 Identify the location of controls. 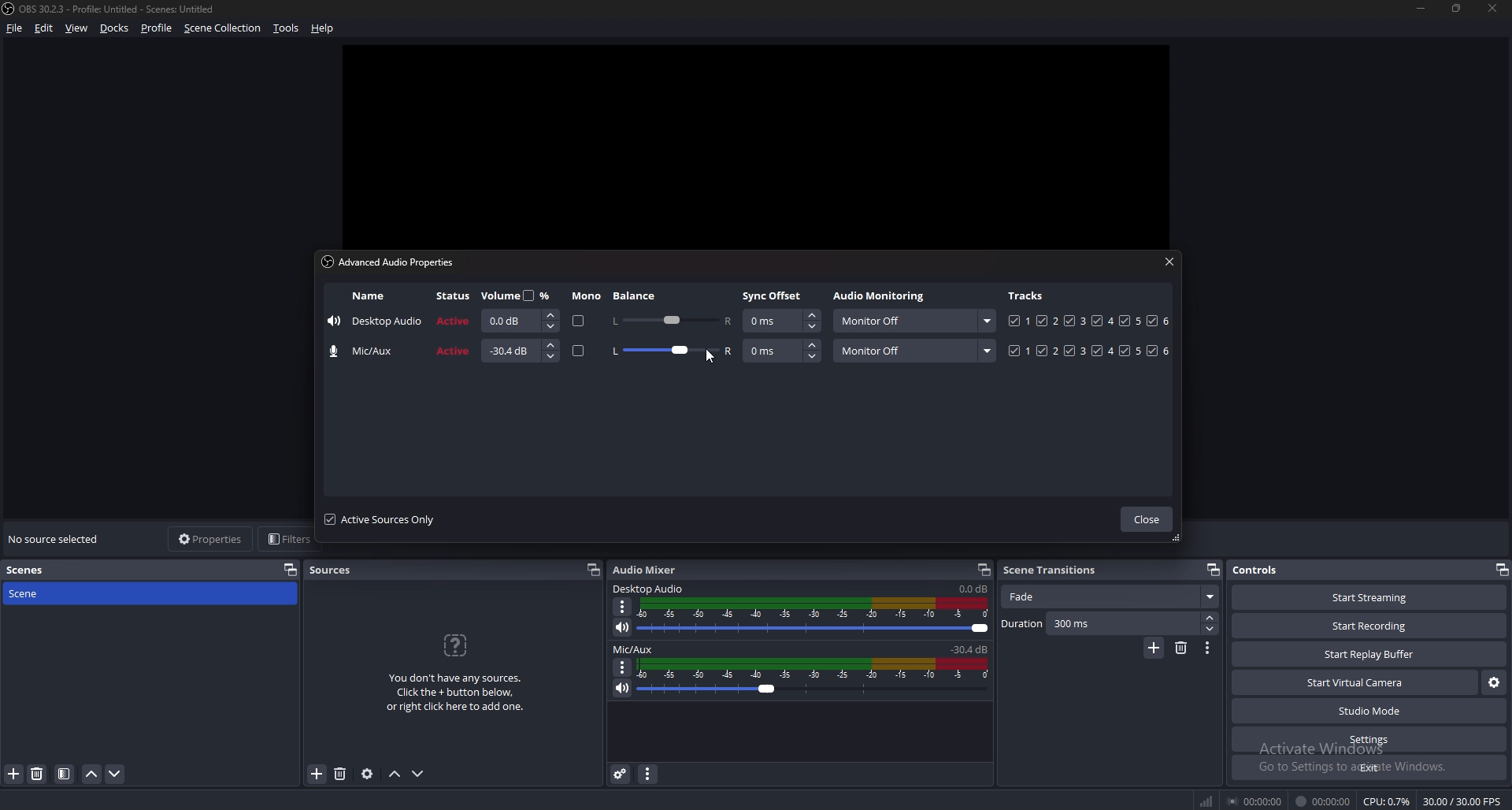
(1265, 570).